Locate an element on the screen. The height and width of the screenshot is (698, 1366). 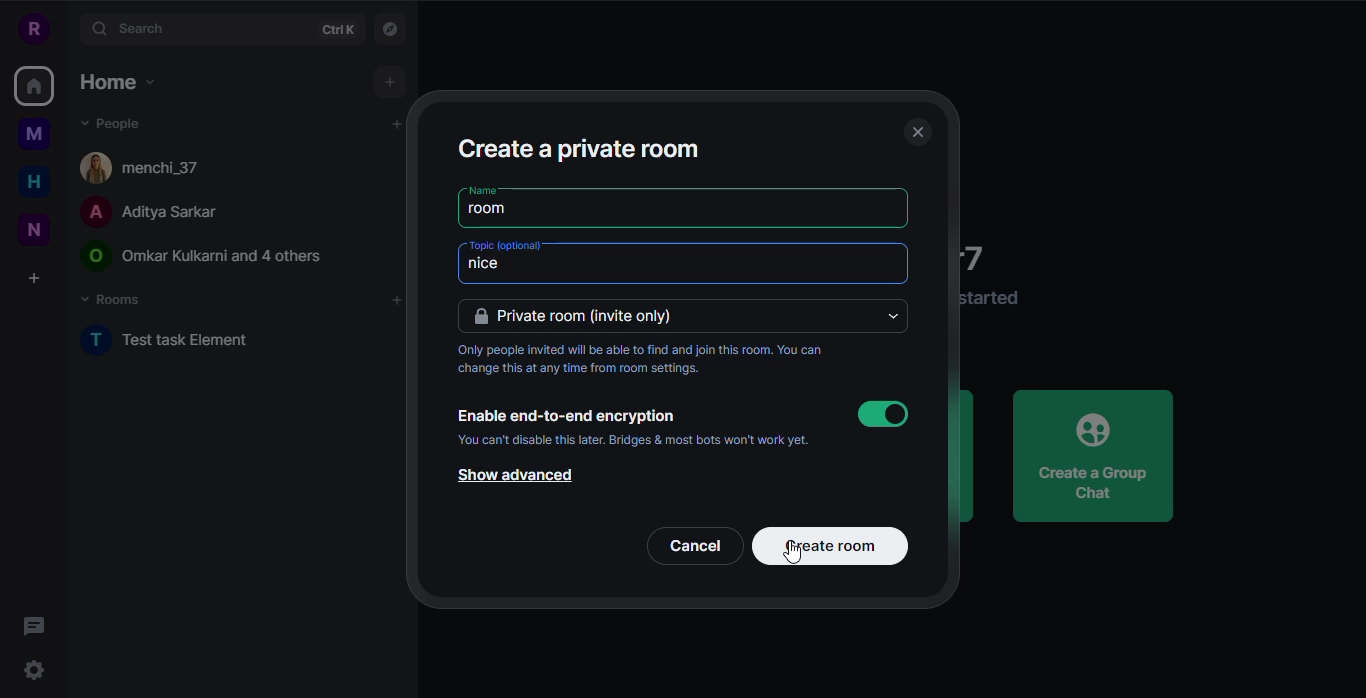
create a space is located at coordinates (34, 278).